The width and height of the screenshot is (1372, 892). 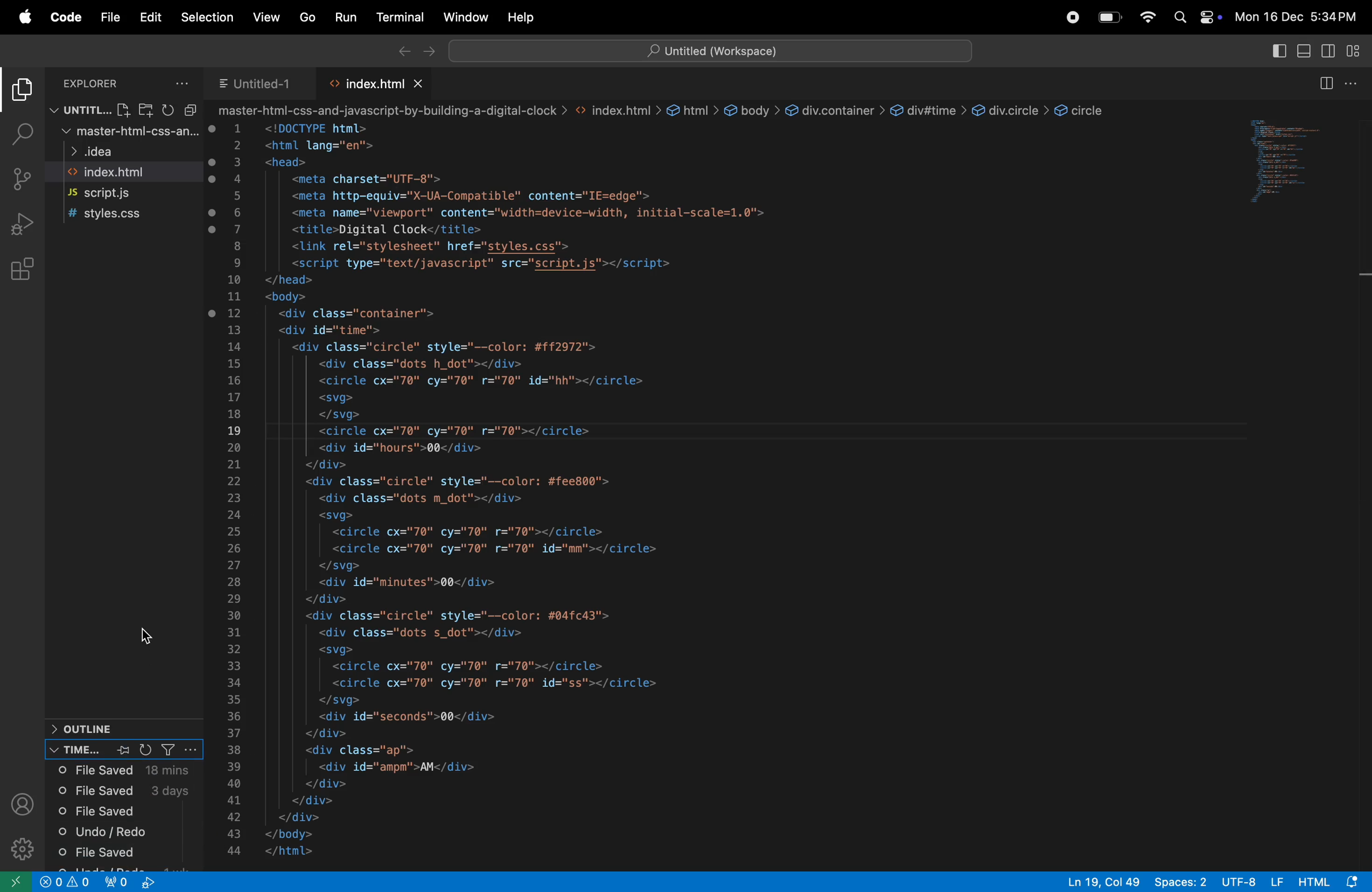 I want to click on <div class="circle" style="--color: #ff2972">, so click(x=442, y=346).